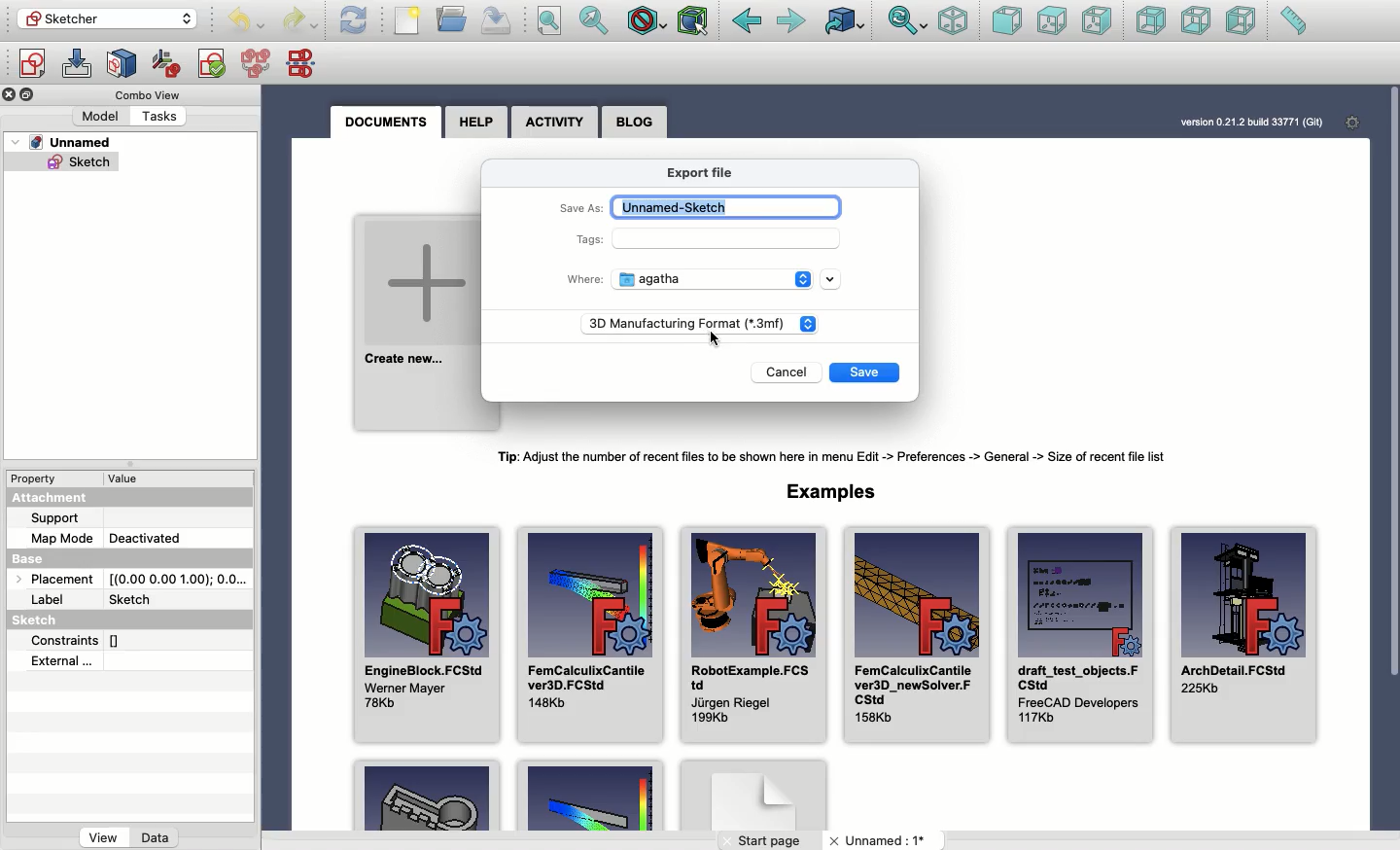 The width and height of the screenshot is (1400, 850). Describe the element at coordinates (648, 20) in the screenshot. I see `Draw style` at that location.